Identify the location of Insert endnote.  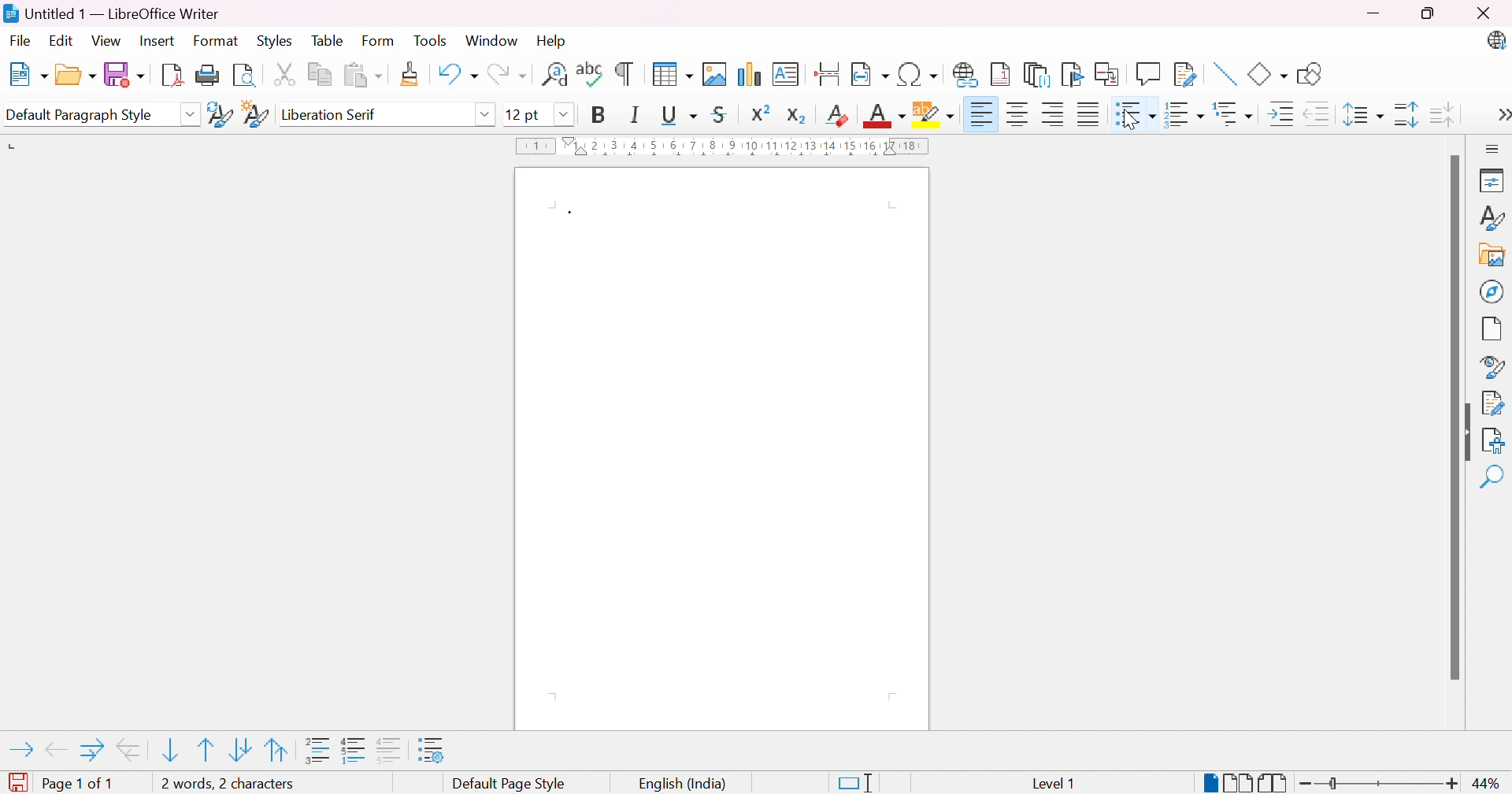
(1038, 74).